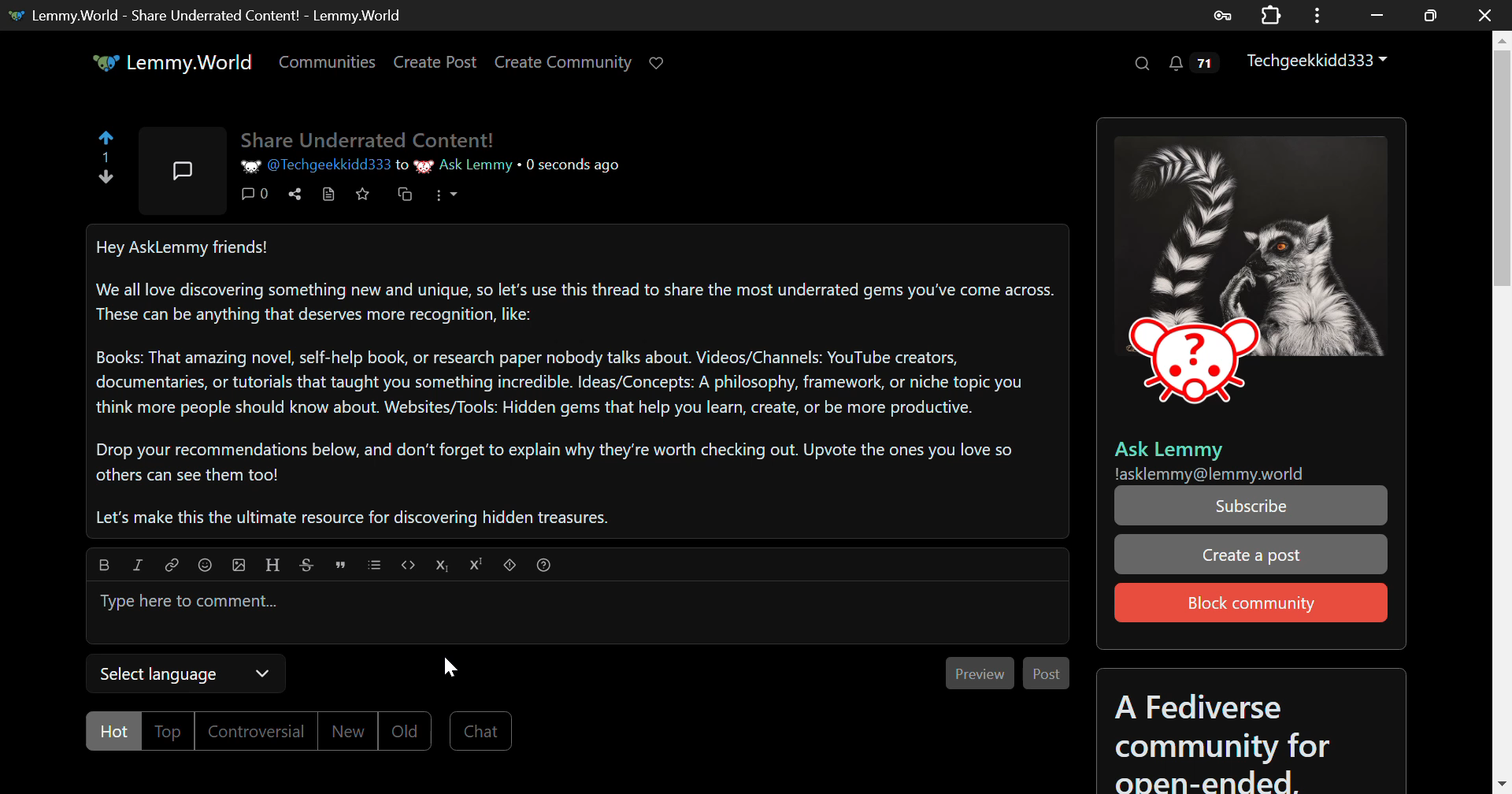 This screenshot has height=794, width=1512. I want to click on Ask Lemmy, so click(462, 167).